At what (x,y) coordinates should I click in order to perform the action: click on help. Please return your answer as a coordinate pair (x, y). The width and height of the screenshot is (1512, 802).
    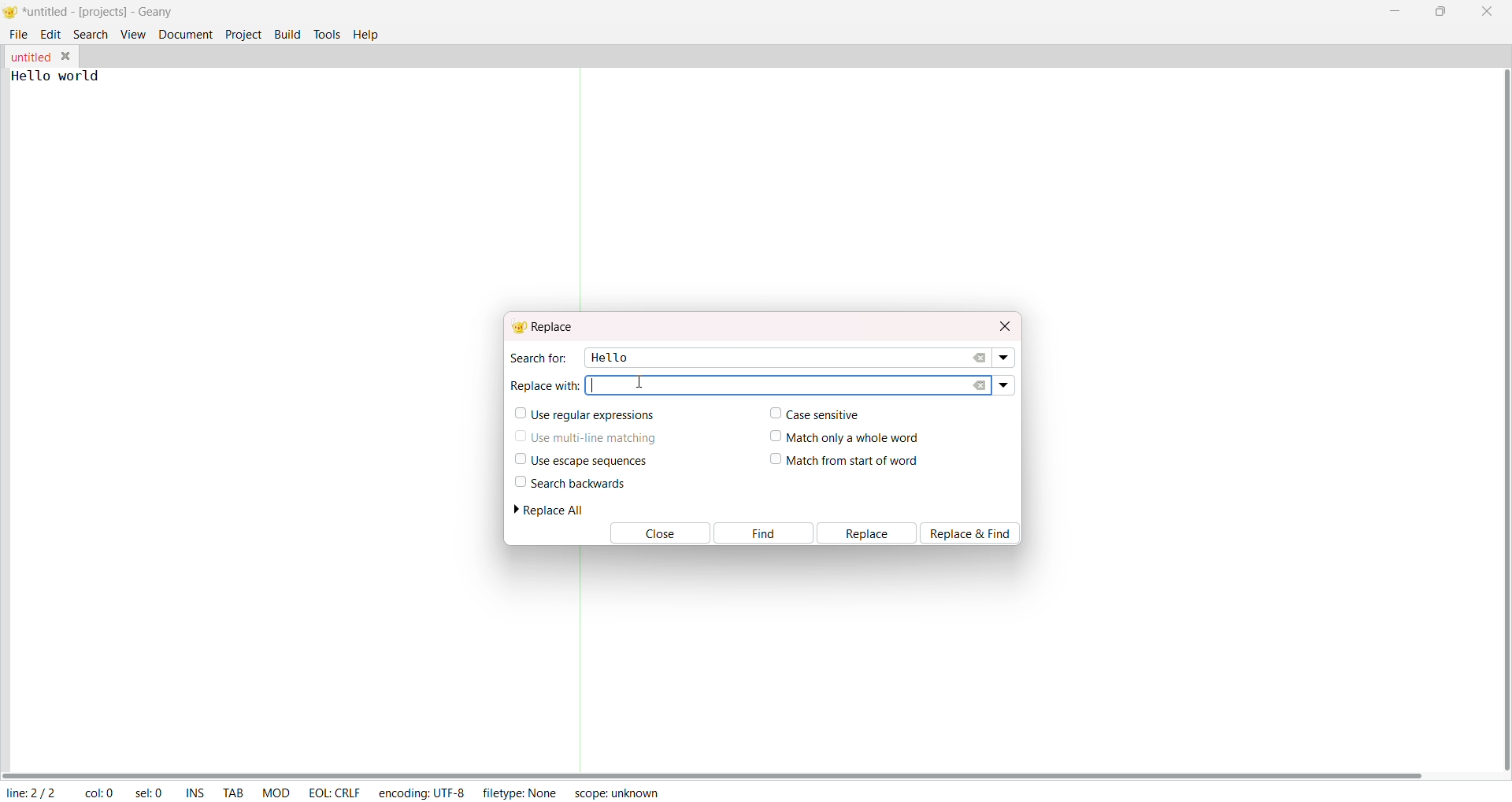
    Looking at the image, I should click on (370, 33).